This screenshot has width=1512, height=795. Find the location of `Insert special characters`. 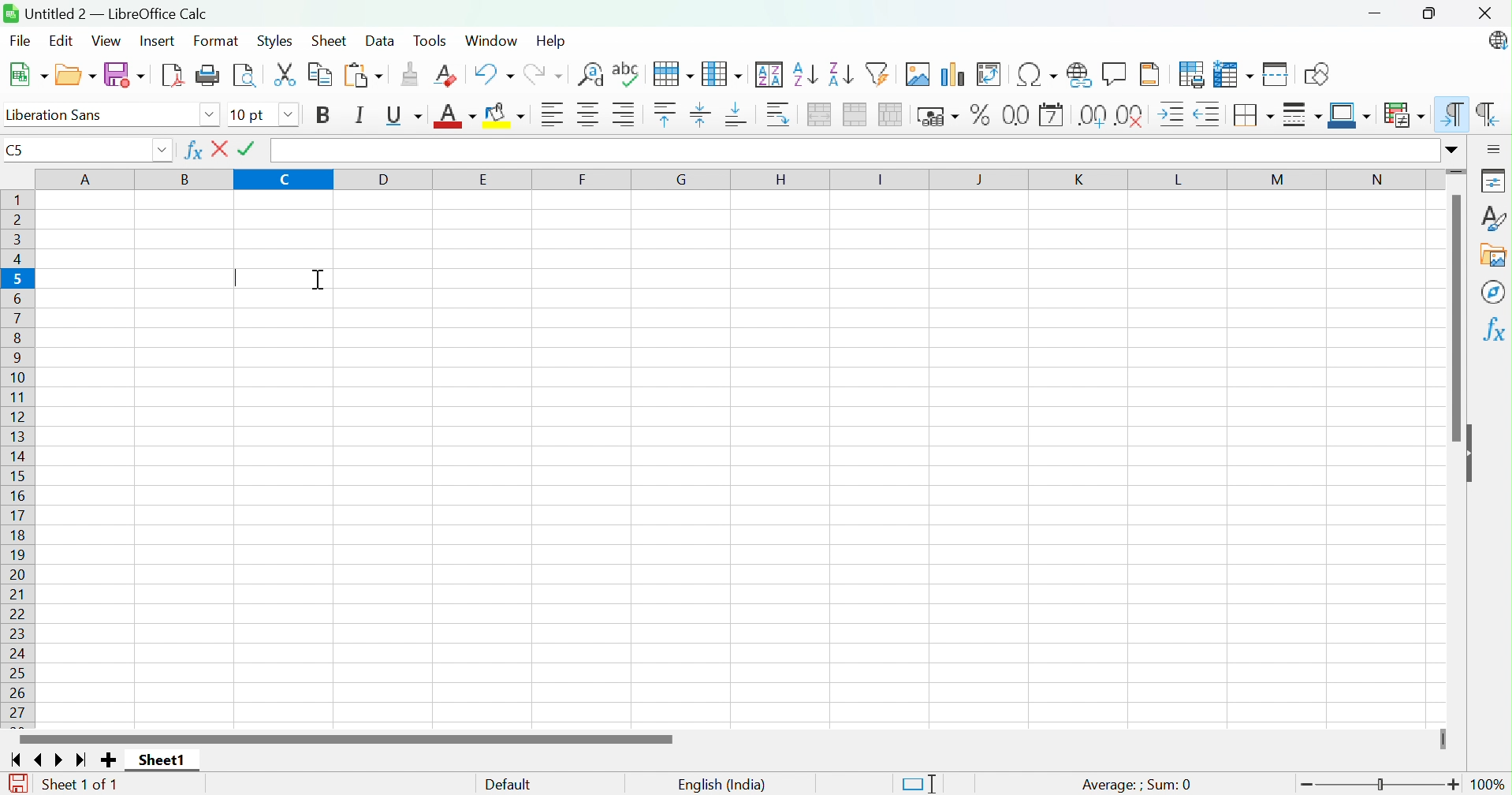

Insert special characters is located at coordinates (1035, 75).